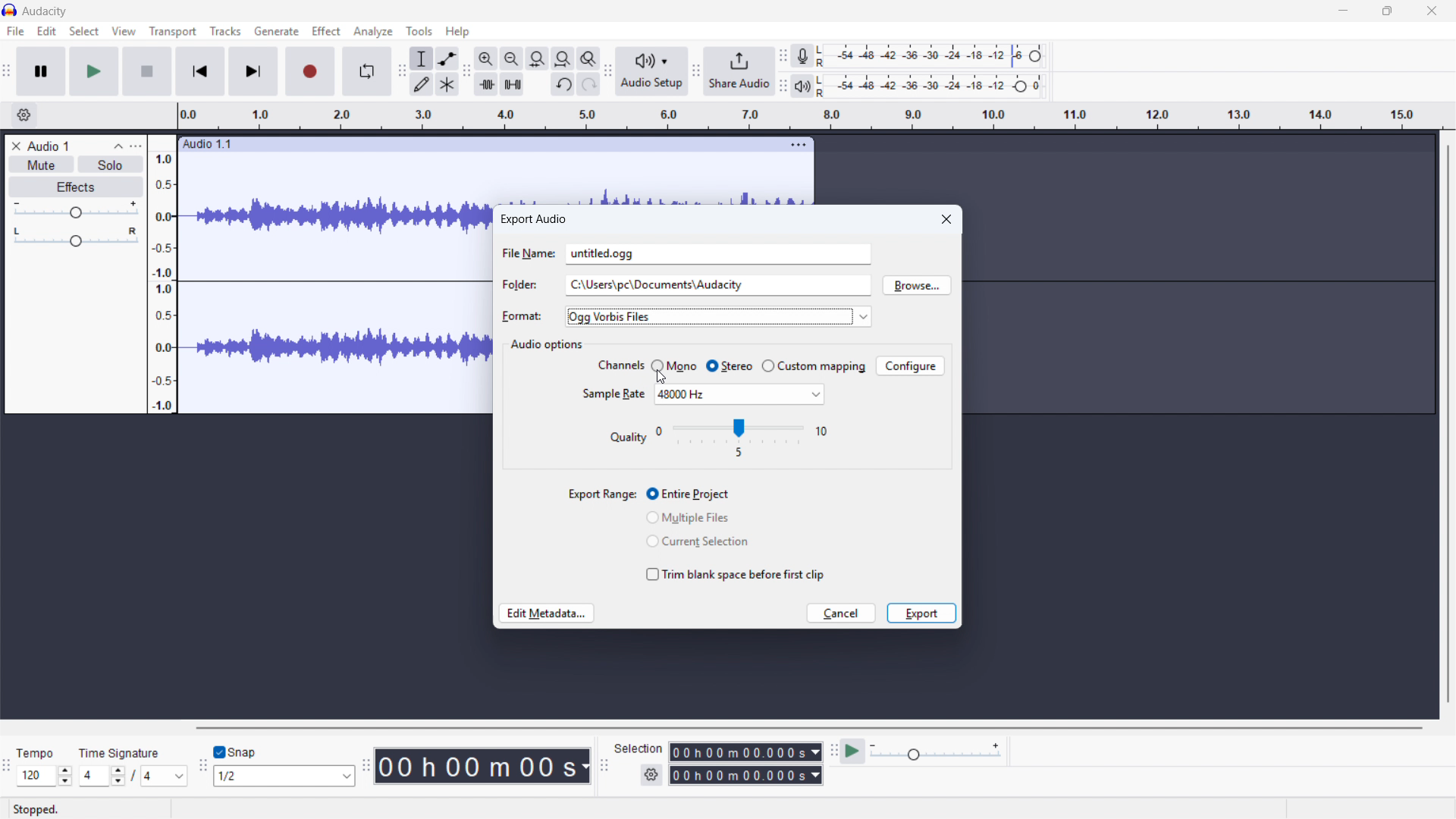 The image size is (1456, 819). Describe the element at coordinates (719, 317) in the screenshot. I see `Export format ` at that location.